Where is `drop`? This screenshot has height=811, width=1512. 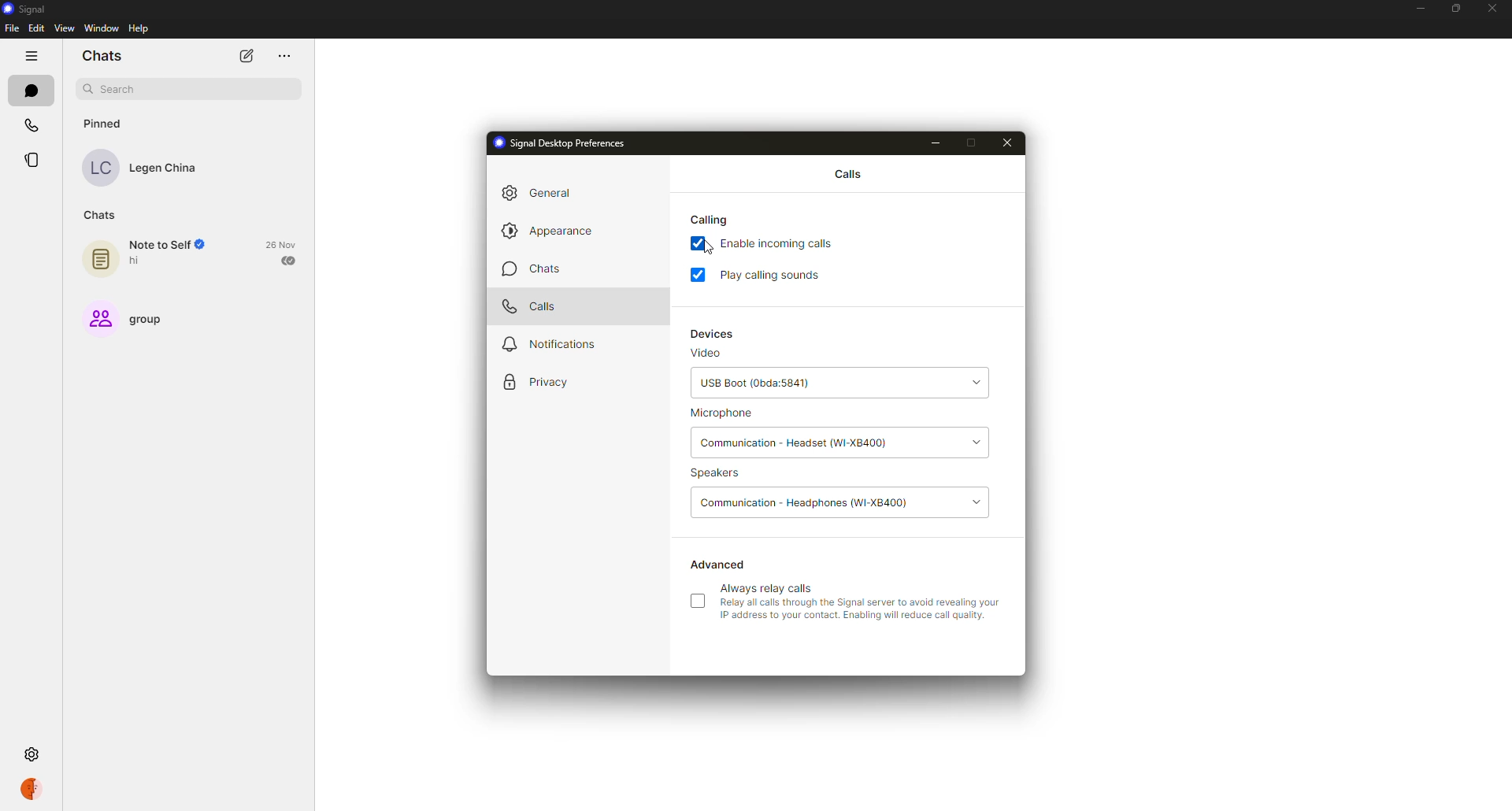
drop is located at coordinates (977, 500).